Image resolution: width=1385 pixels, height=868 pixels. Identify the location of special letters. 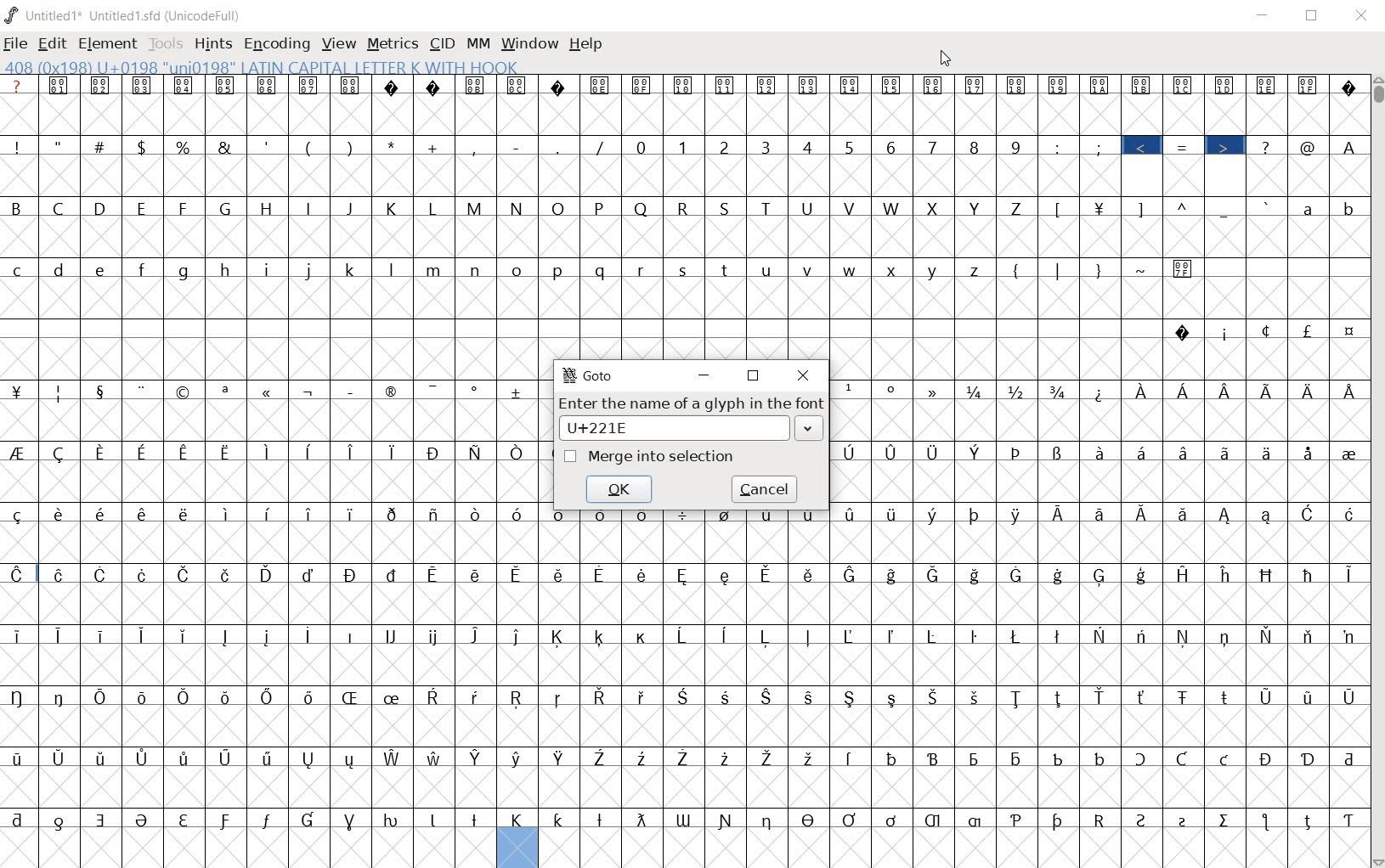
(682, 572).